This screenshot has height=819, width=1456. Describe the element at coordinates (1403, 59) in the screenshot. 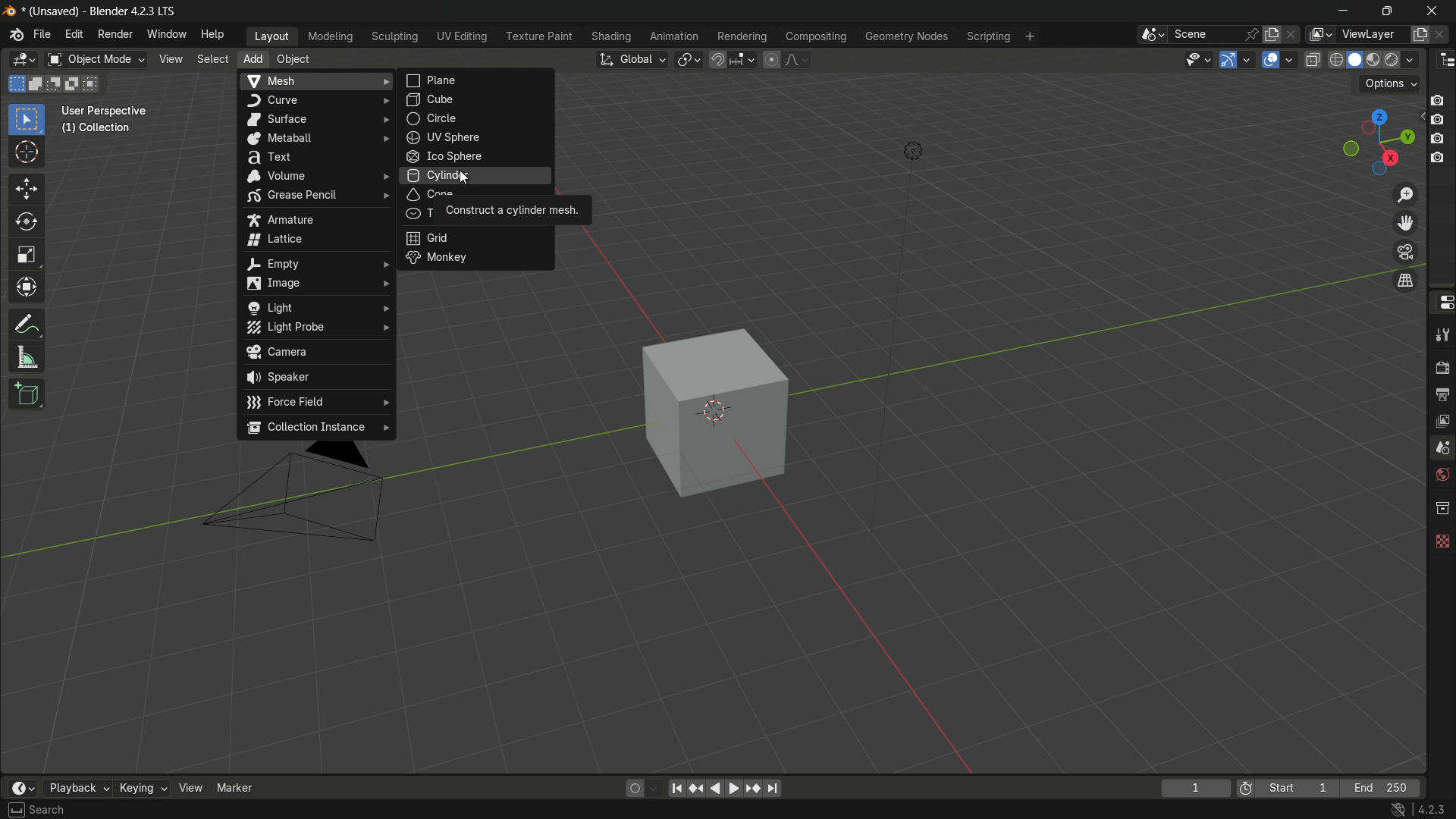

I see `render` at that location.